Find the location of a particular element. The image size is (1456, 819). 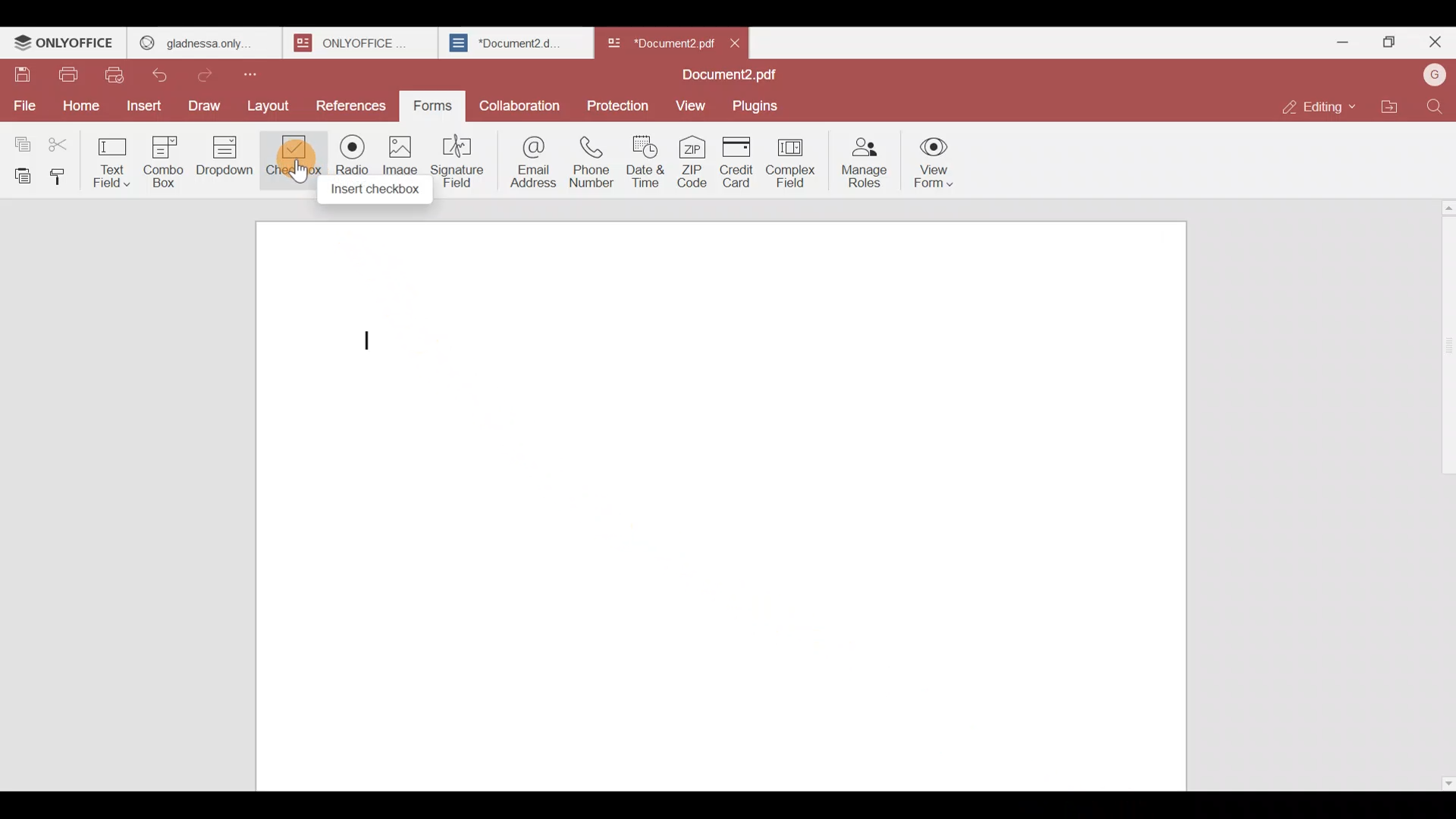

Text field is located at coordinates (115, 158).